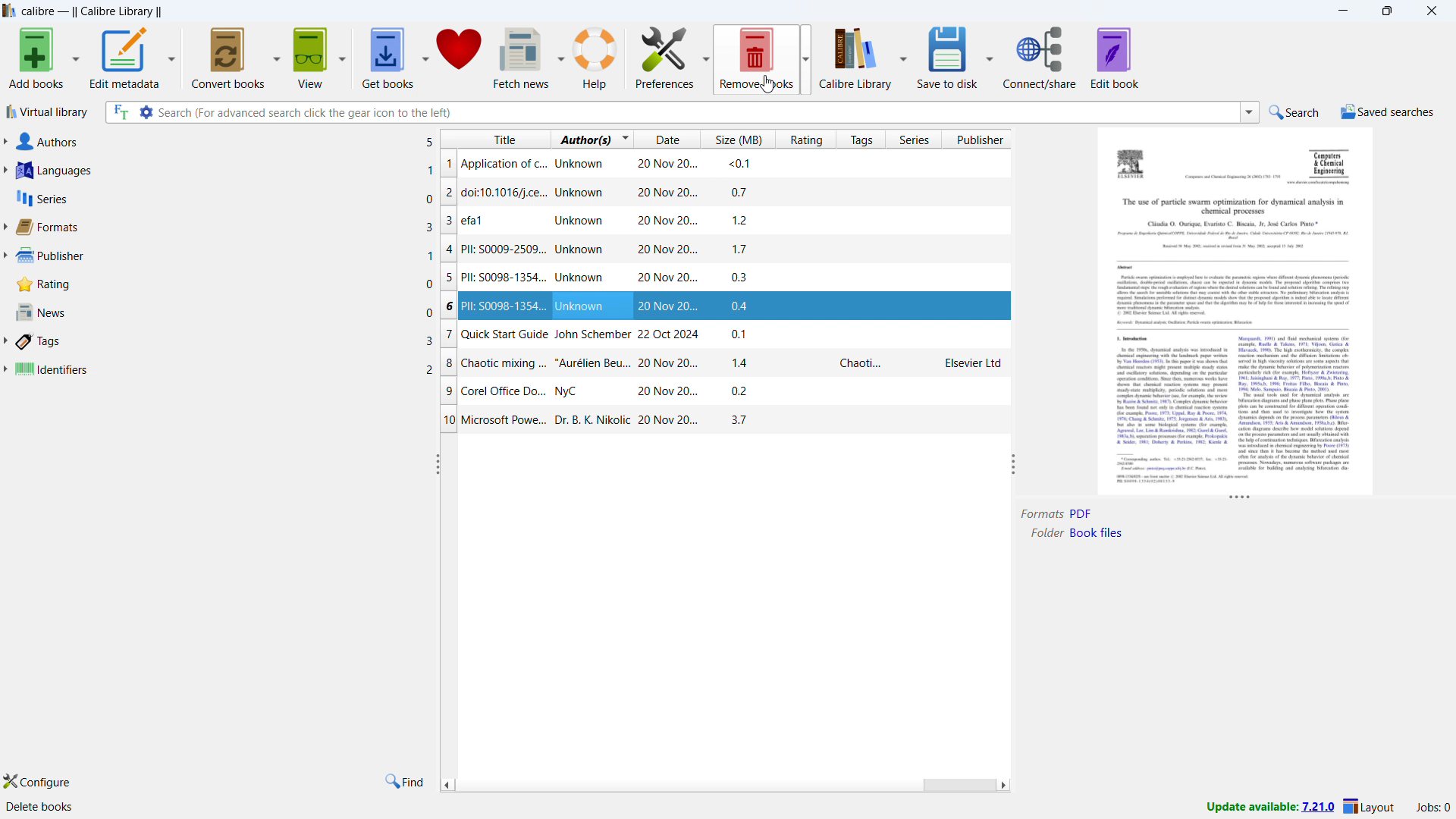  I want to click on PIL: S009-2509..., so click(732, 251).